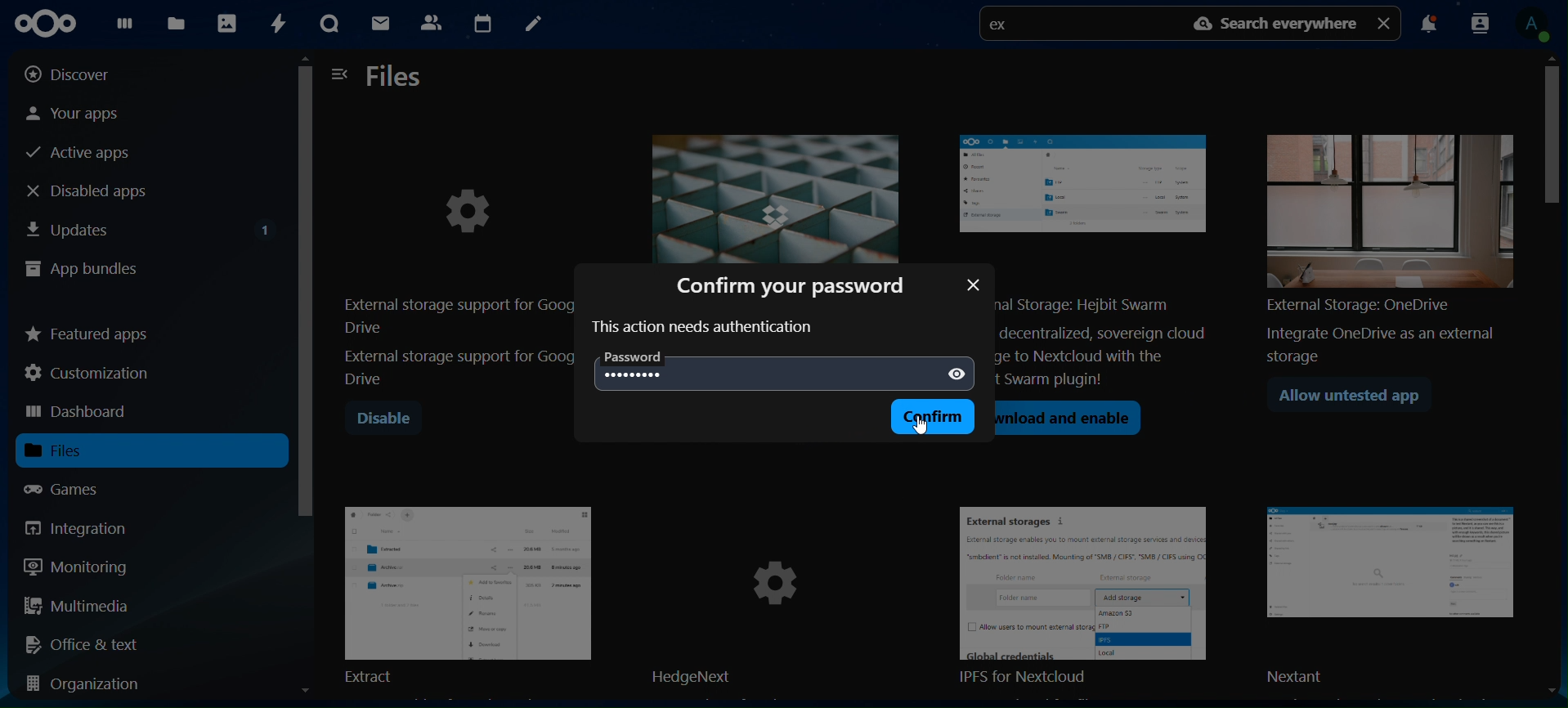 The height and width of the screenshot is (708, 1568). Describe the element at coordinates (1357, 398) in the screenshot. I see `allow untested app` at that location.